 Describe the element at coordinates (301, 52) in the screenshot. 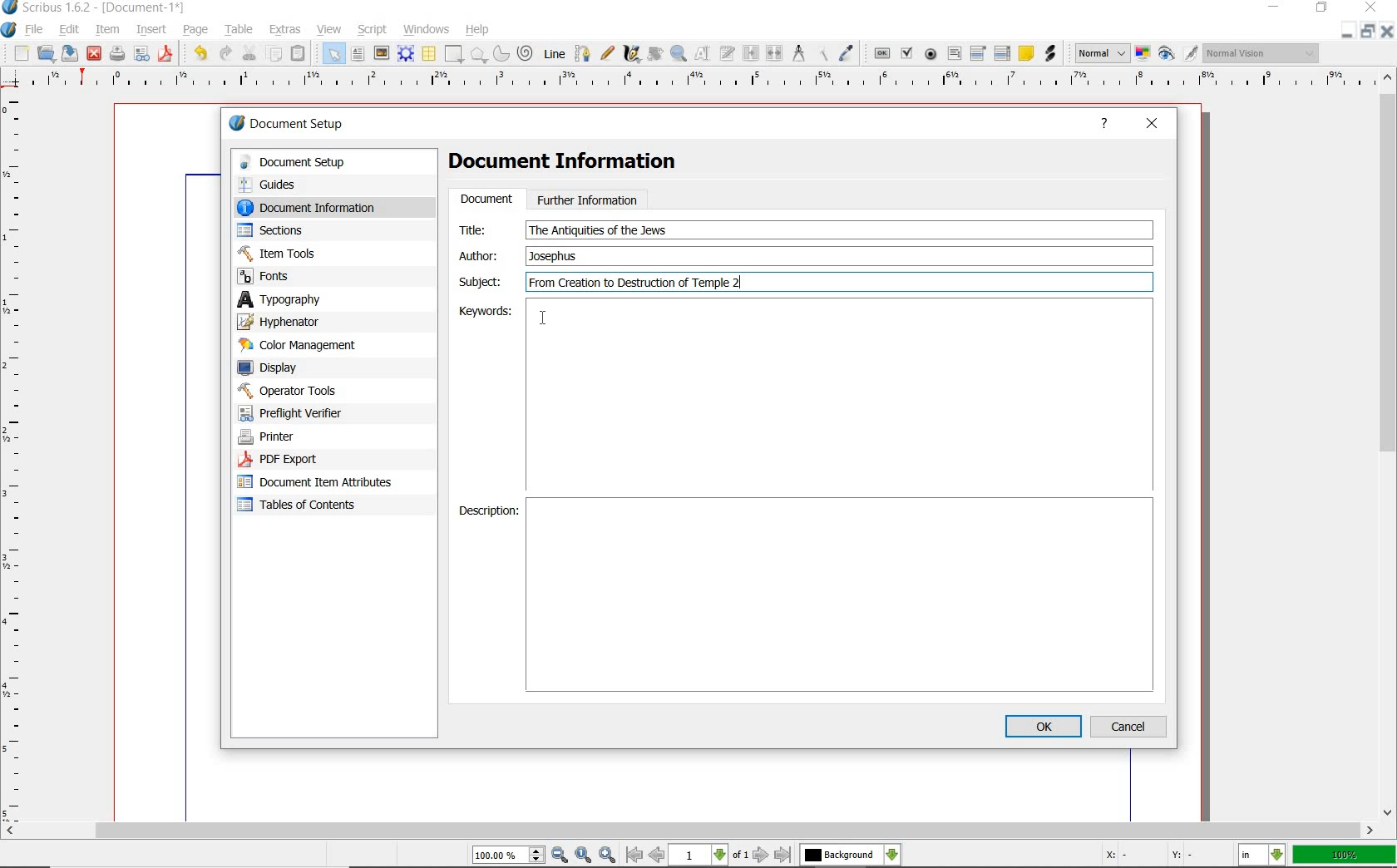

I see `paste` at that location.